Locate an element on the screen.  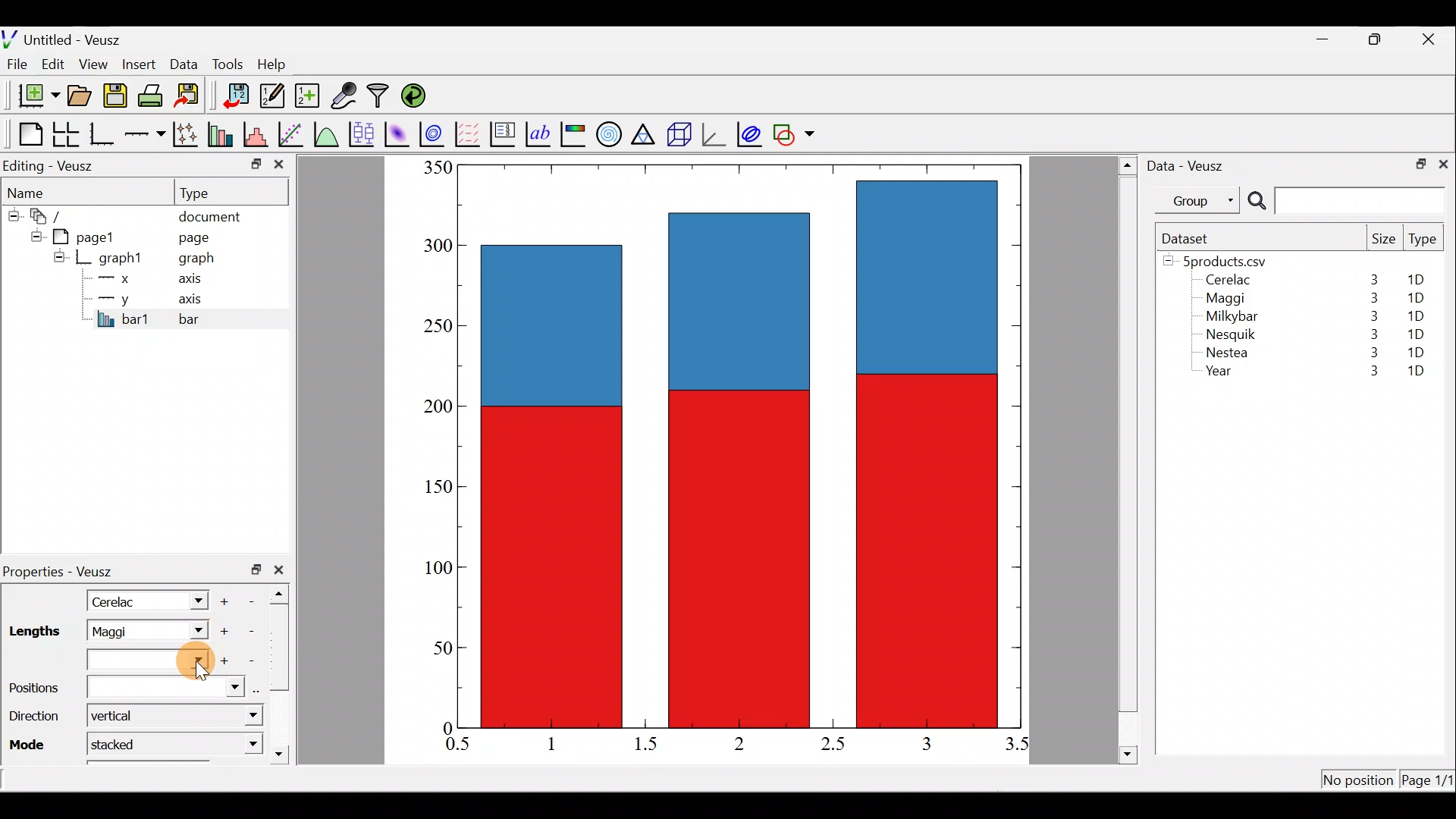
3 is located at coordinates (1370, 355).